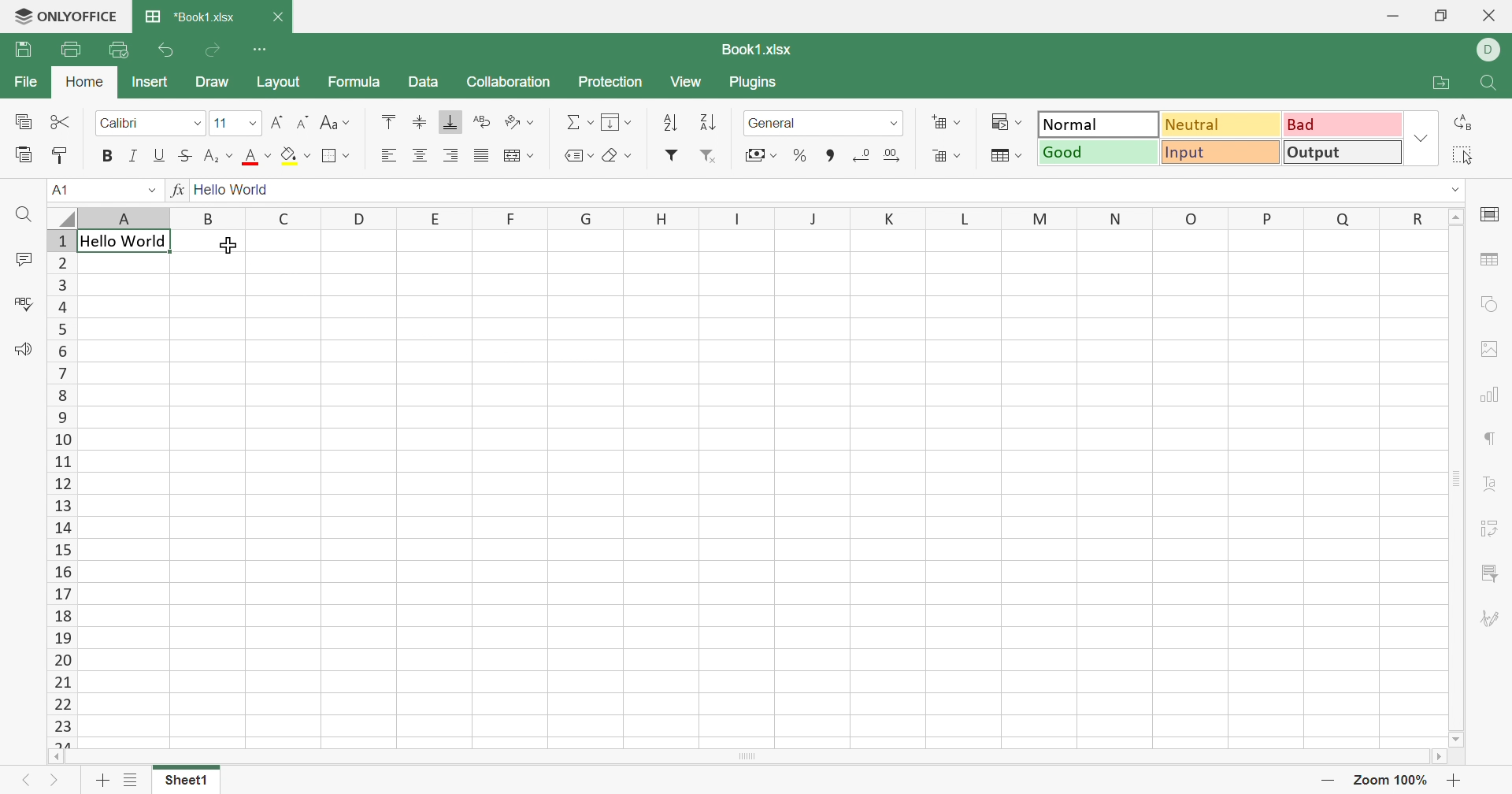 The height and width of the screenshot is (794, 1512). I want to click on Signature settings, so click(1492, 618).